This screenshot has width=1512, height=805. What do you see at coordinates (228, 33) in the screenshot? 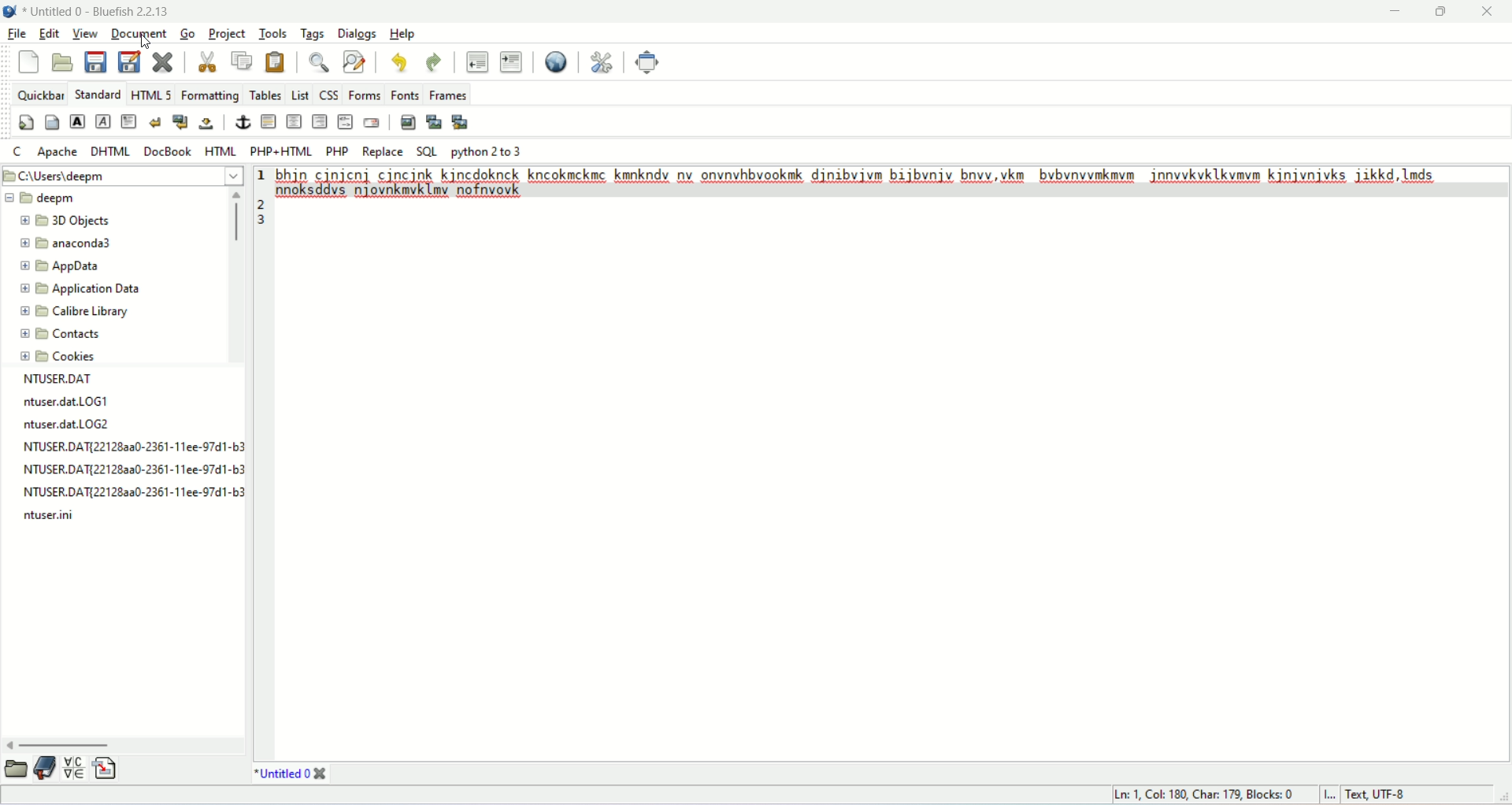
I see `project` at bounding box center [228, 33].